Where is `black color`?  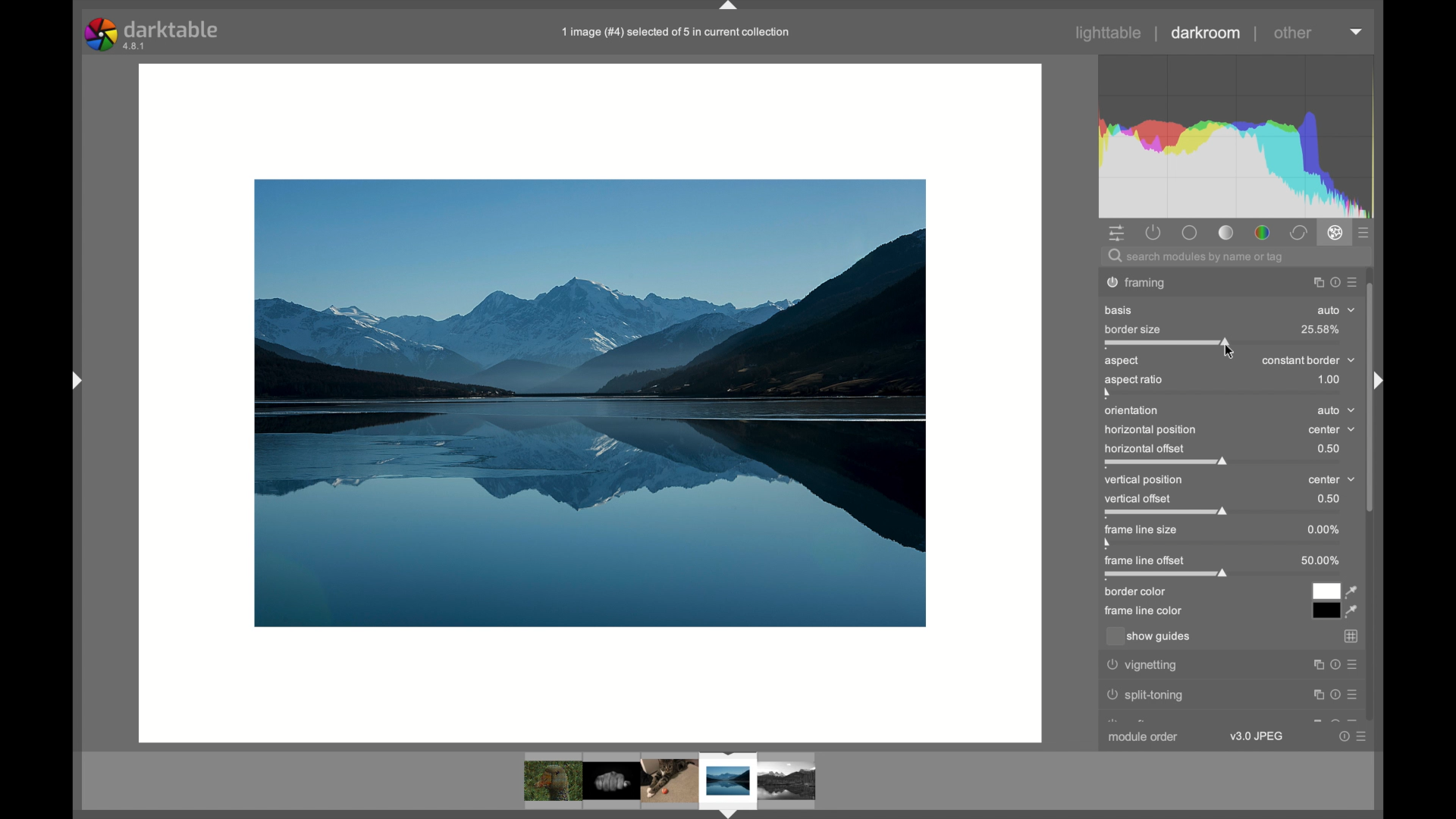
black color is located at coordinates (1324, 611).